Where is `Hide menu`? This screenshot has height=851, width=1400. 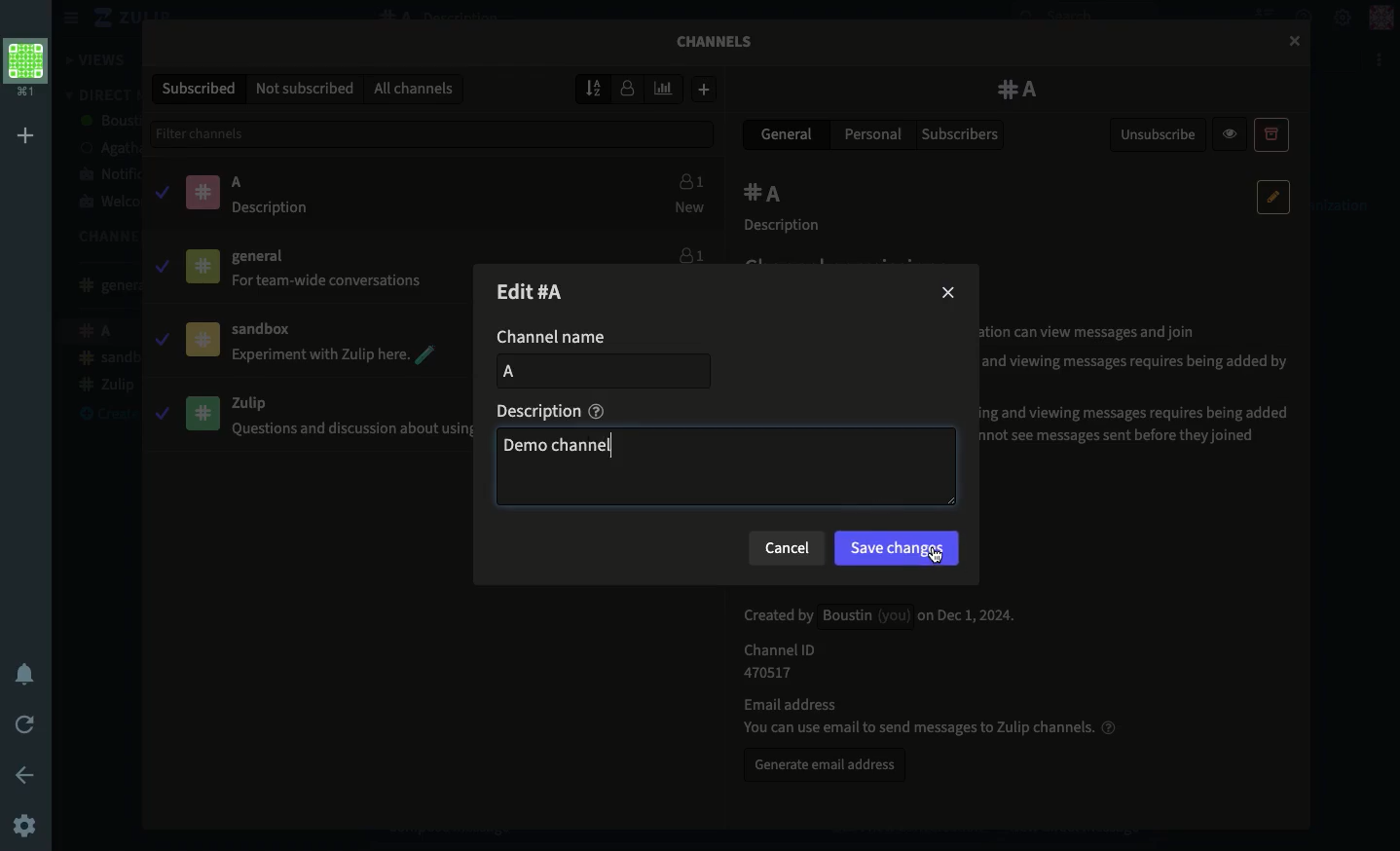 Hide menu is located at coordinates (68, 18).